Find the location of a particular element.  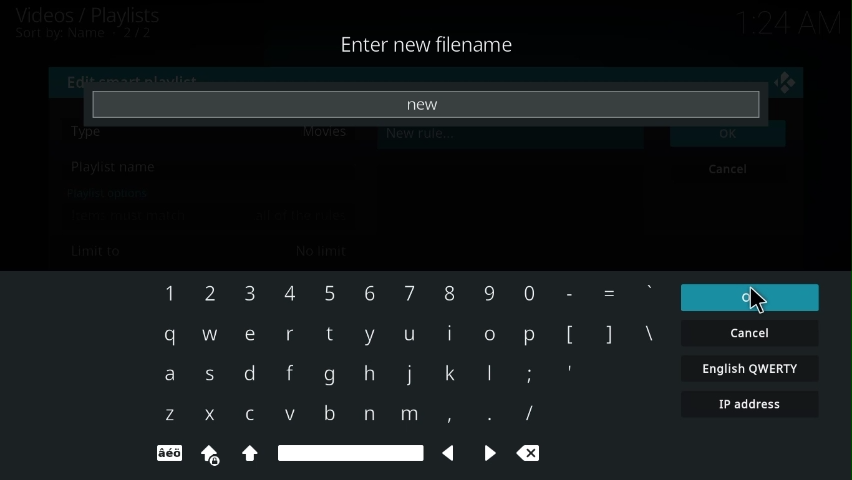

w is located at coordinates (207, 335).